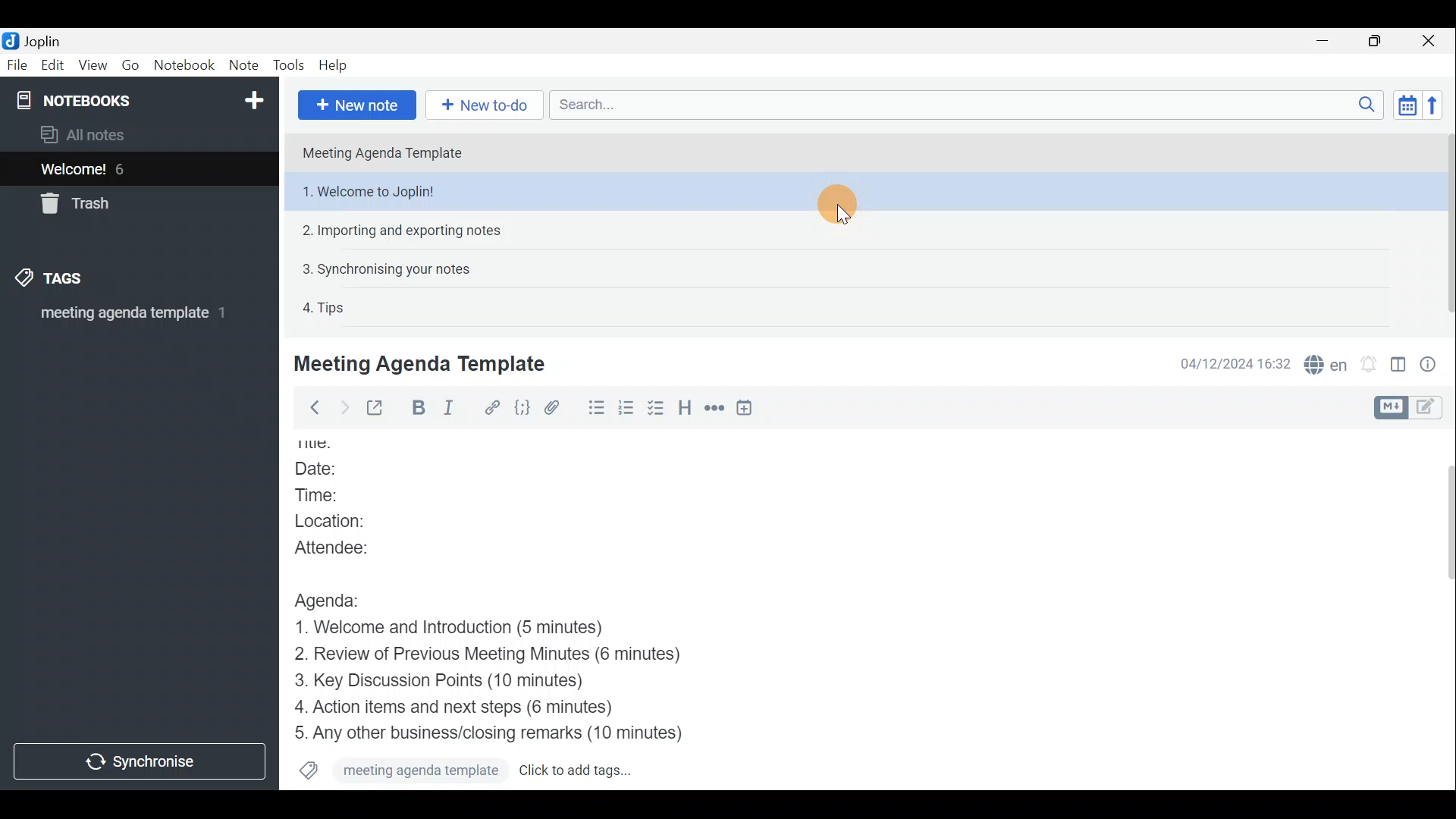 The image size is (1456, 819). Describe the element at coordinates (1429, 42) in the screenshot. I see `Close` at that location.